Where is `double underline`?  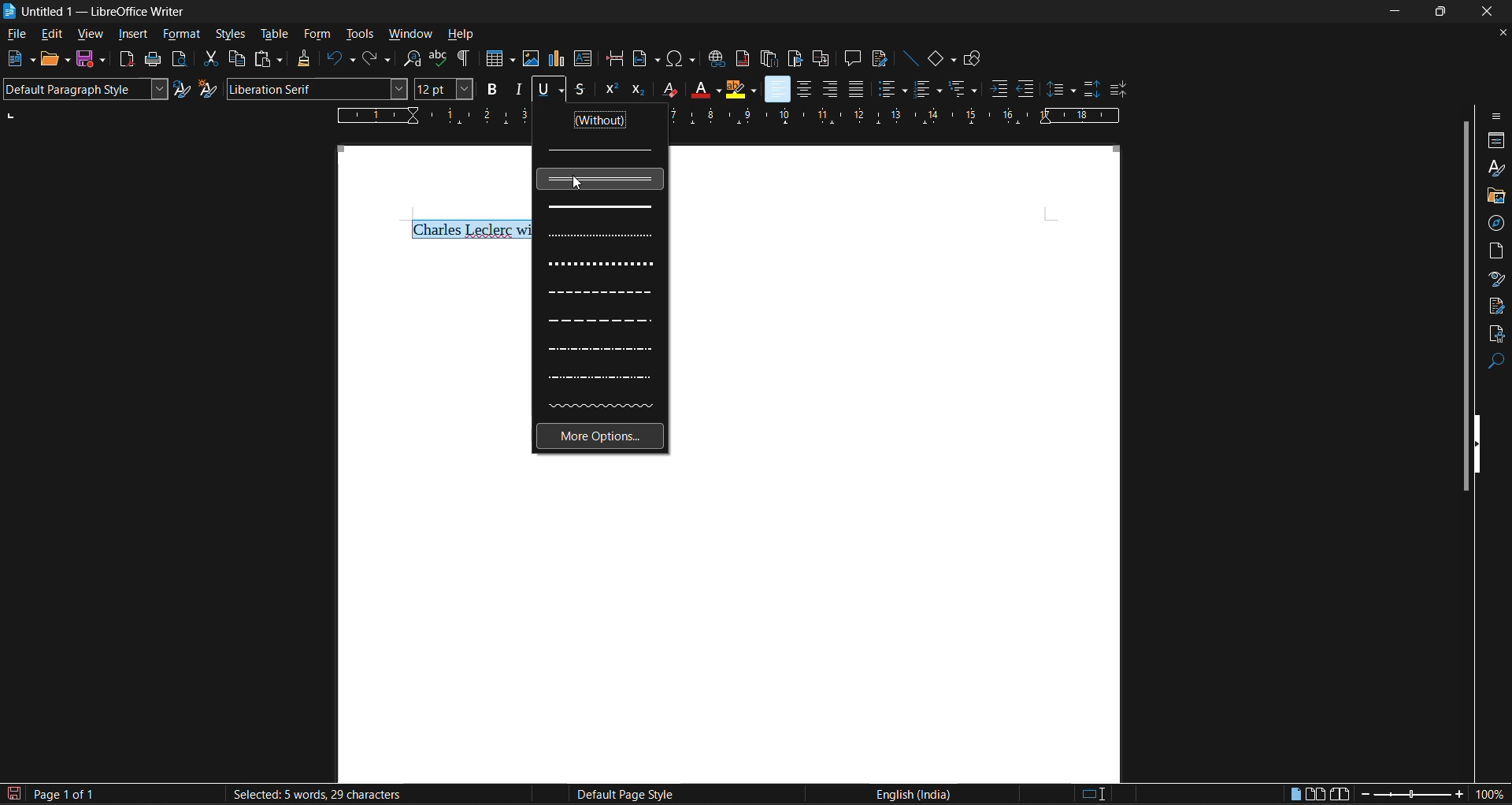
double underline is located at coordinates (600, 179).